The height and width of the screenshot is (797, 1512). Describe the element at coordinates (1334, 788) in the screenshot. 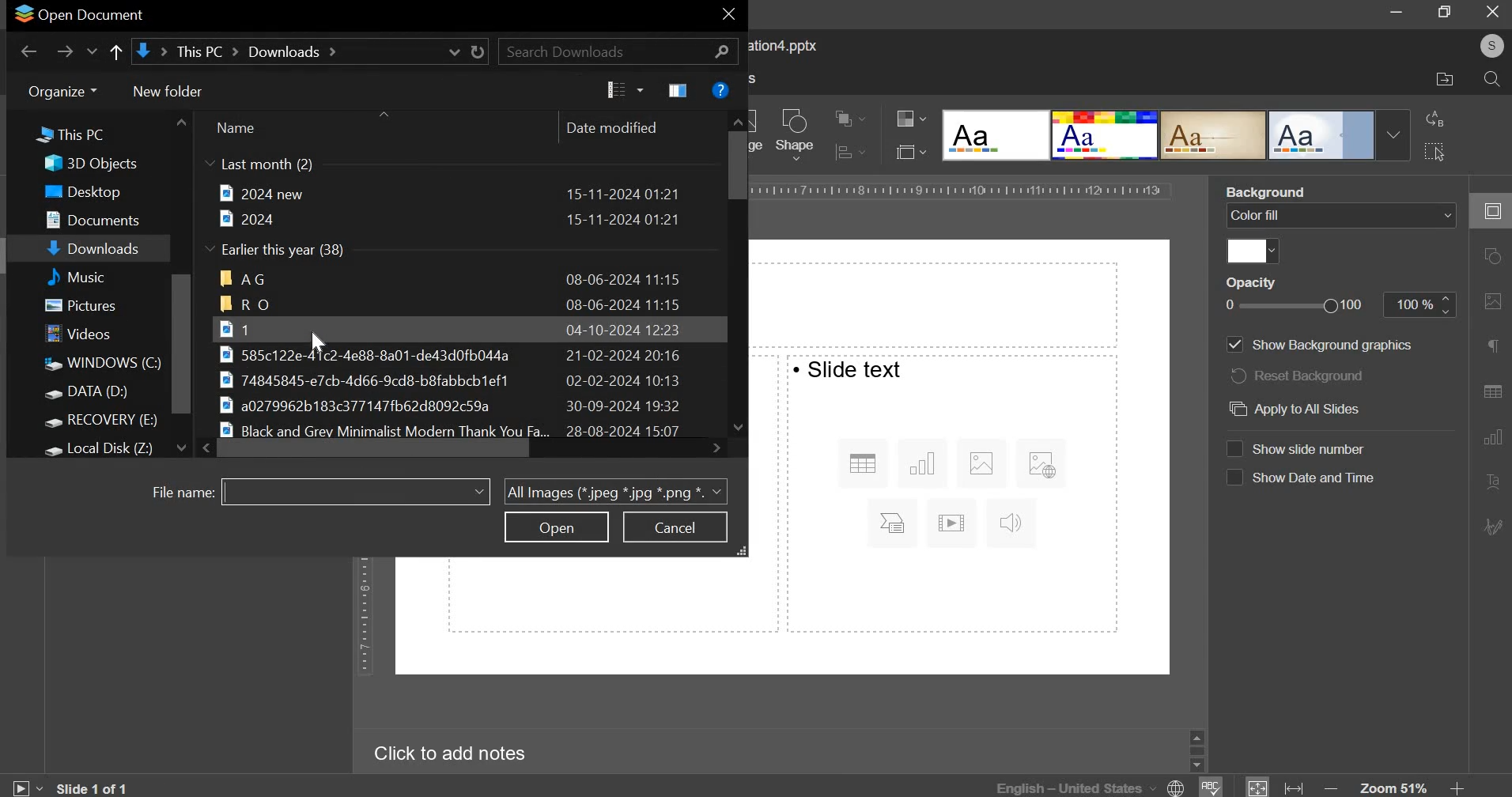

I see `decrease zoom` at that location.